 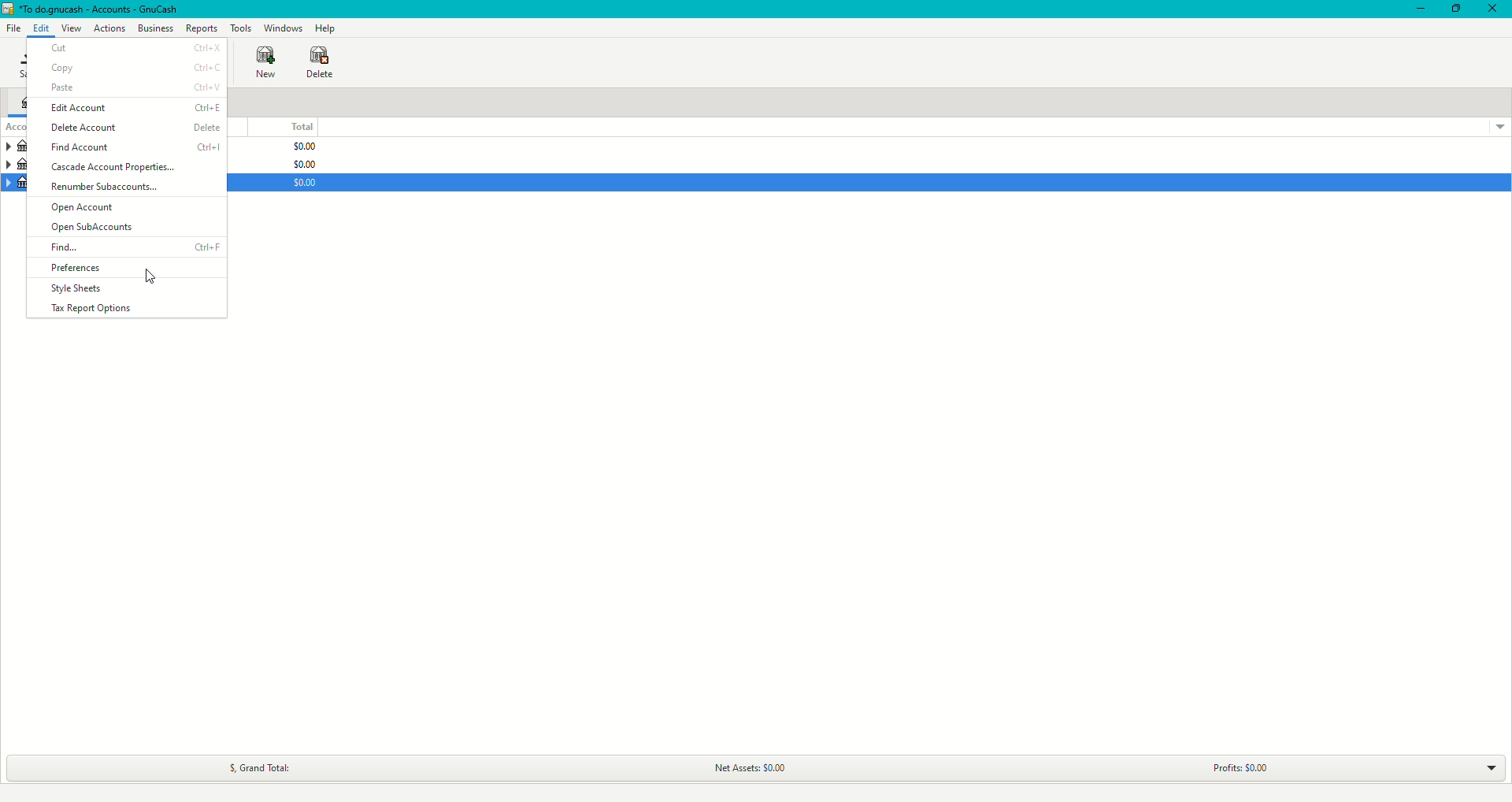 I want to click on Actions, so click(x=111, y=28).